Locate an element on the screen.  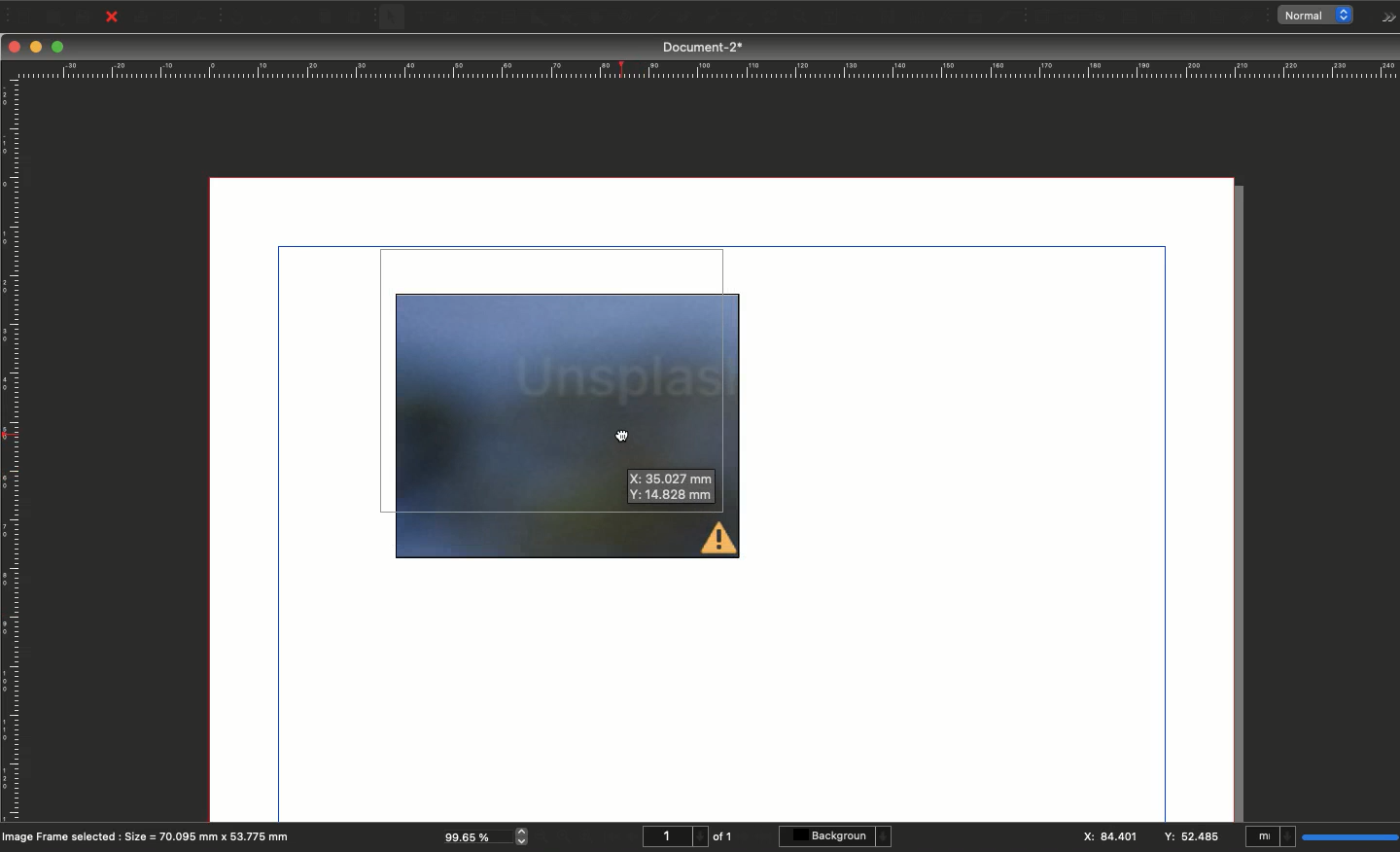
zoom in and out is located at coordinates (525, 835).